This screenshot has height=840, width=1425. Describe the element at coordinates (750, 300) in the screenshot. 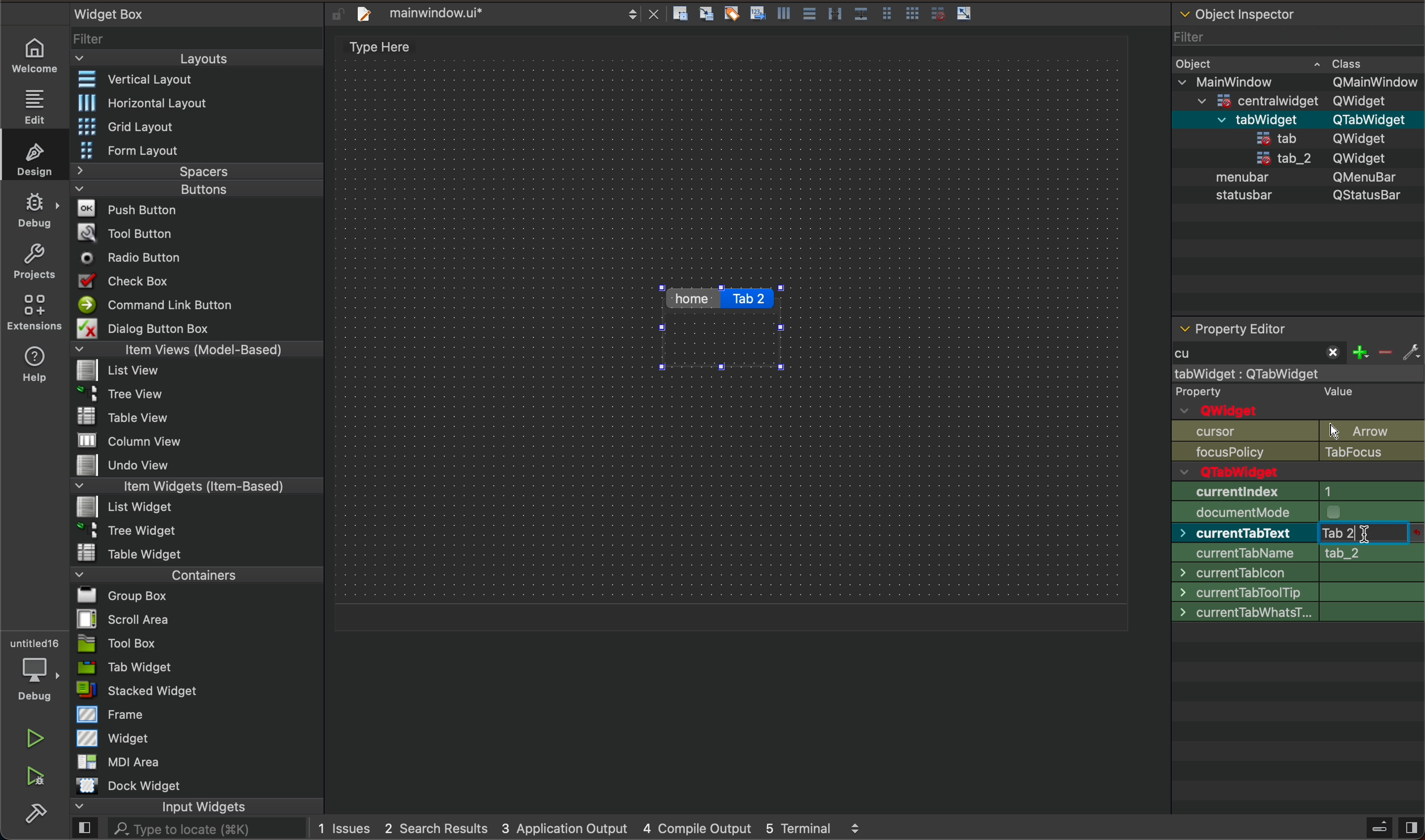

I see `click` at that location.